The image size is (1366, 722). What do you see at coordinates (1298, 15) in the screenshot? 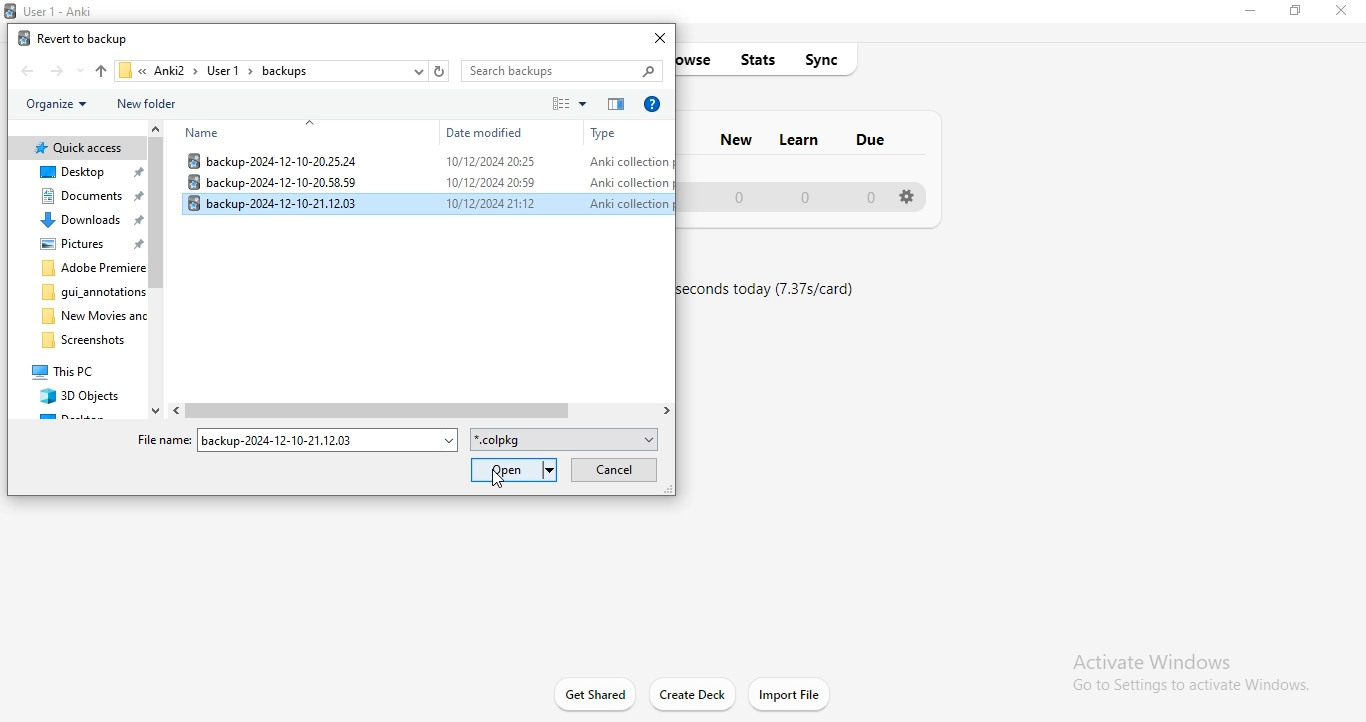
I see `restore` at bounding box center [1298, 15].